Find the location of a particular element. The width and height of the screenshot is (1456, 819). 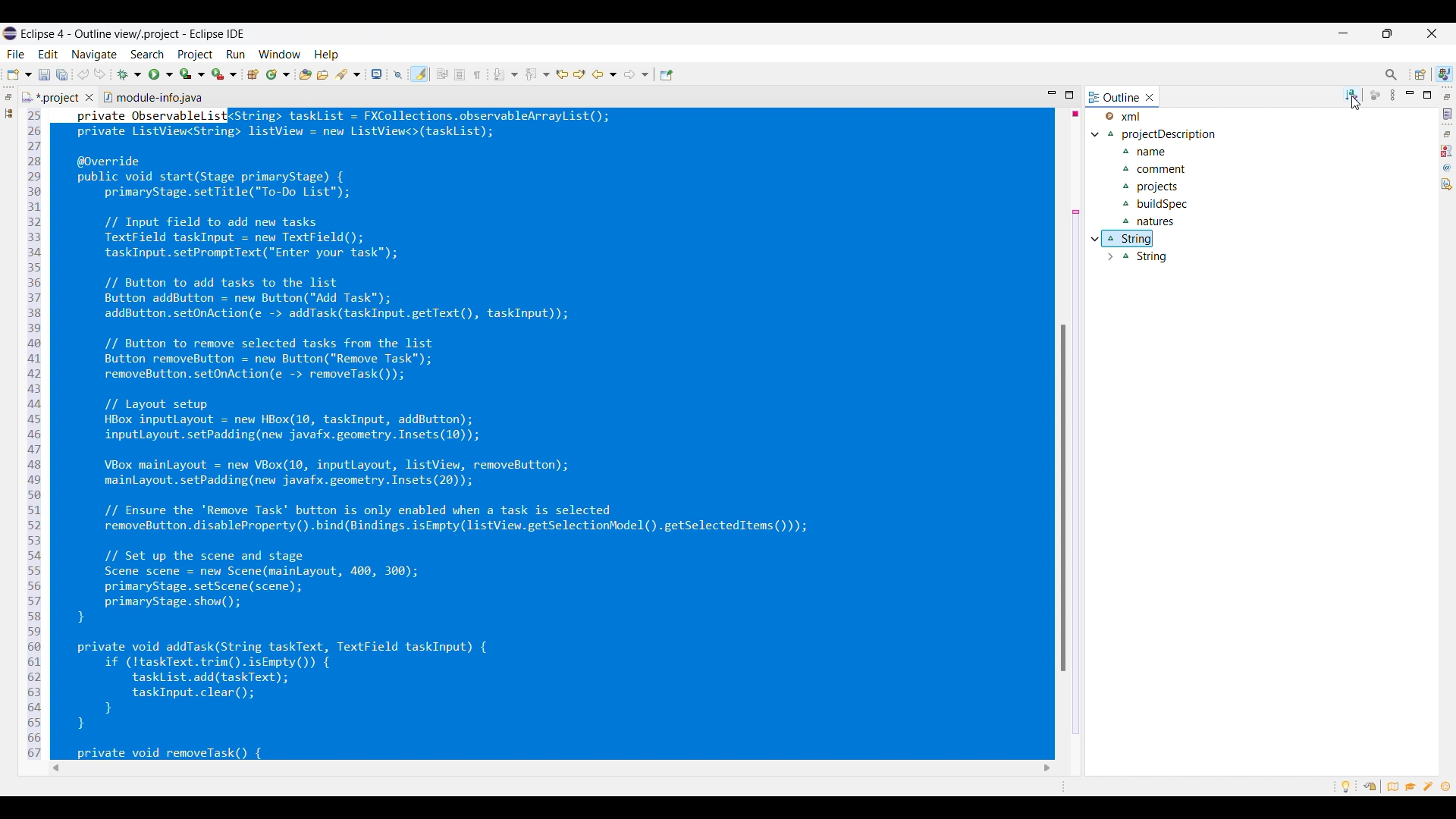

Declaration is located at coordinates (1447, 184).